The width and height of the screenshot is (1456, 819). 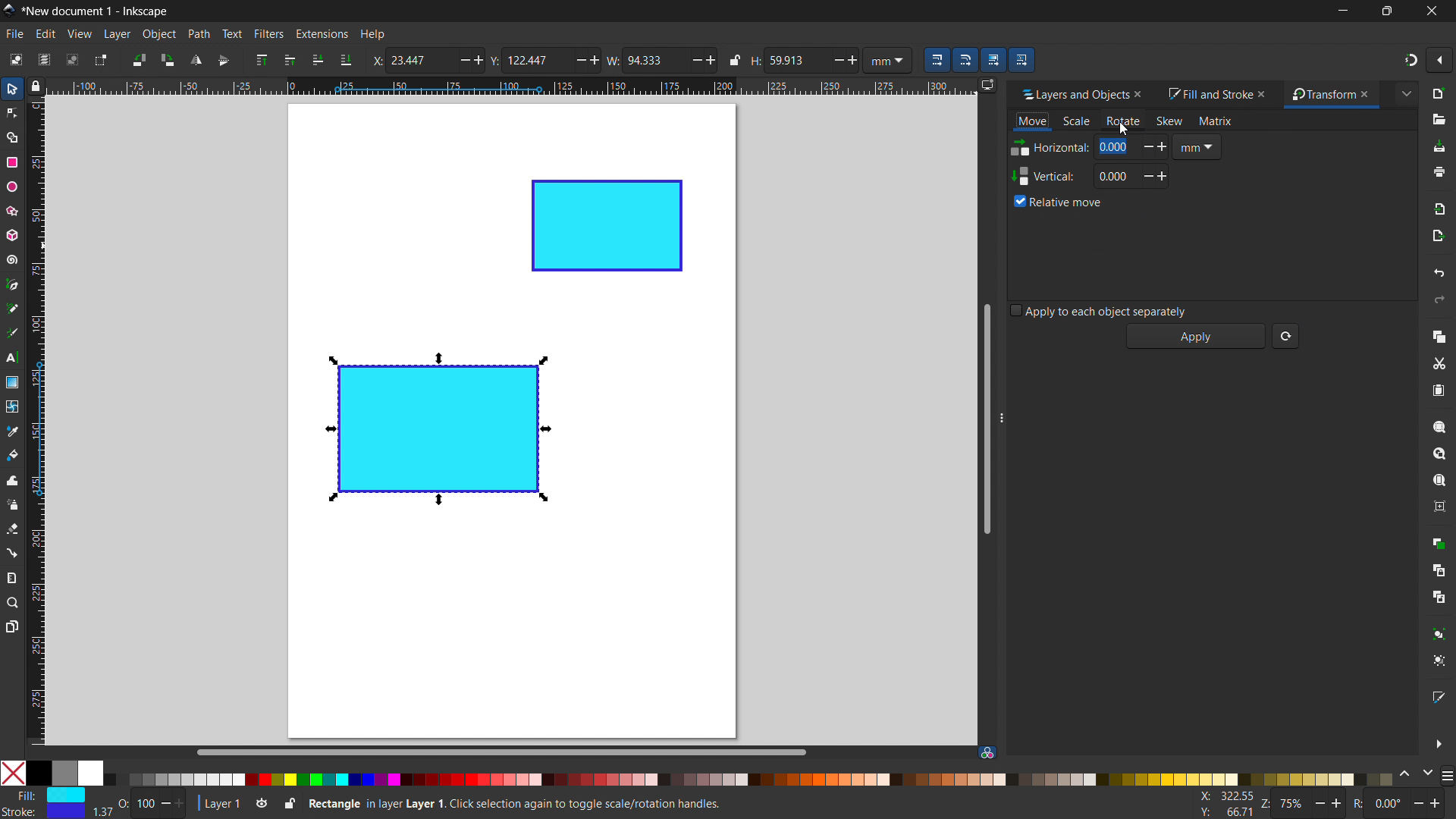 What do you see at coordinates (1406, 93) in the screenshot?
I see `extended menu` at bounding box center [1406, 93].